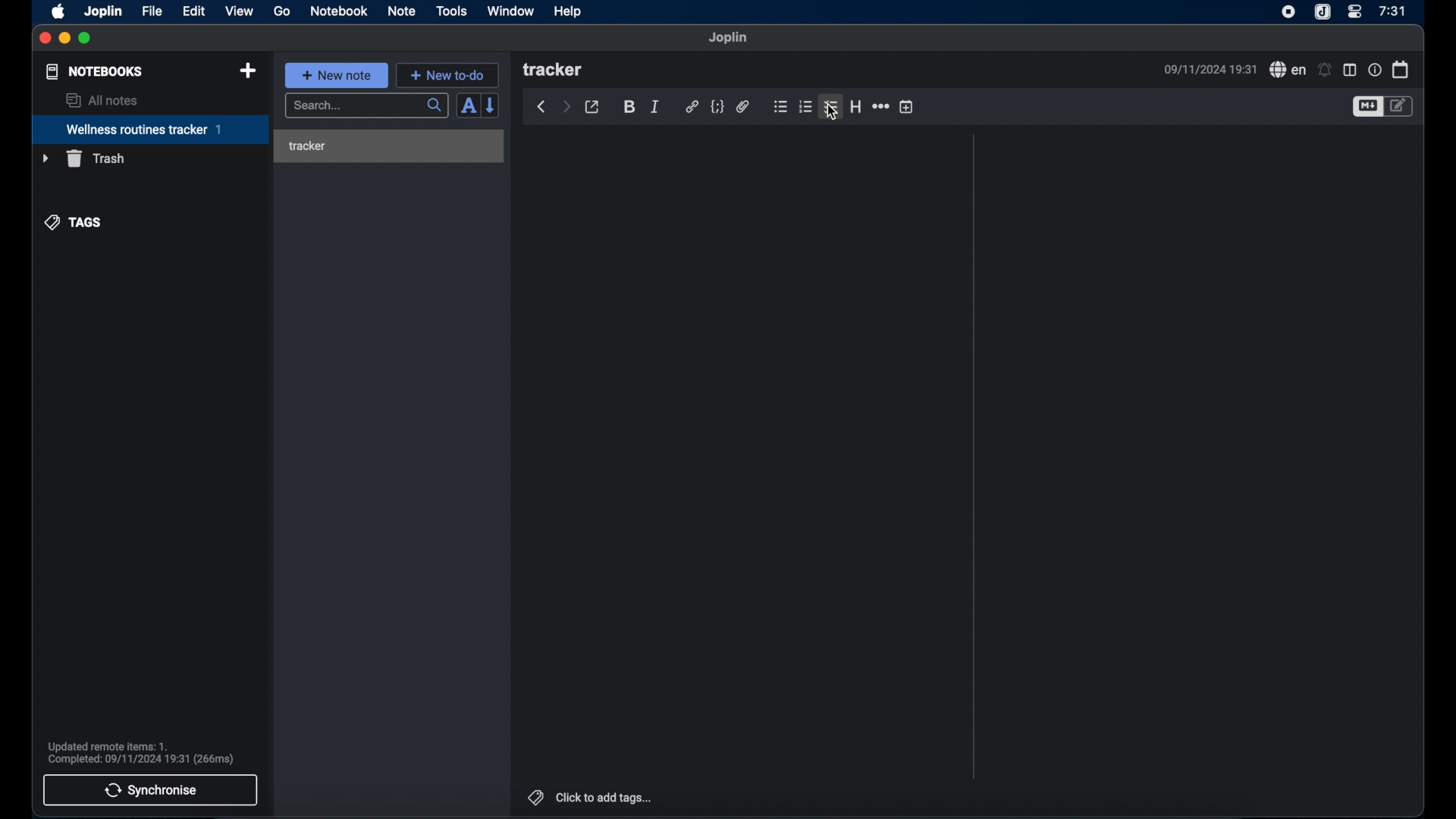  Describe the element at coordinates (394, 145) in the screenshot. I see `tracker` at that location.